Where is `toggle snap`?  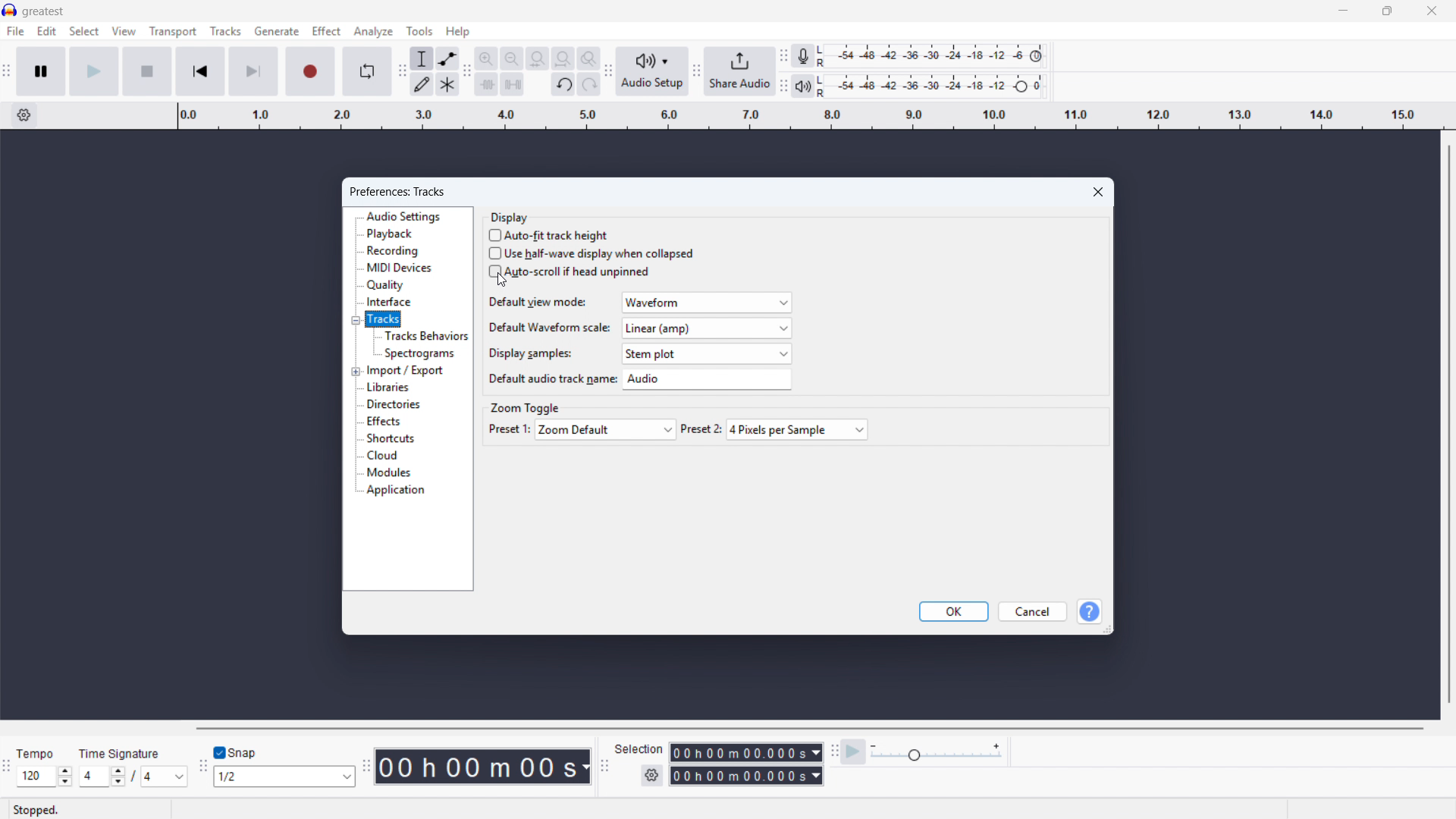
toggle snap is located at coordinates (238, 752).